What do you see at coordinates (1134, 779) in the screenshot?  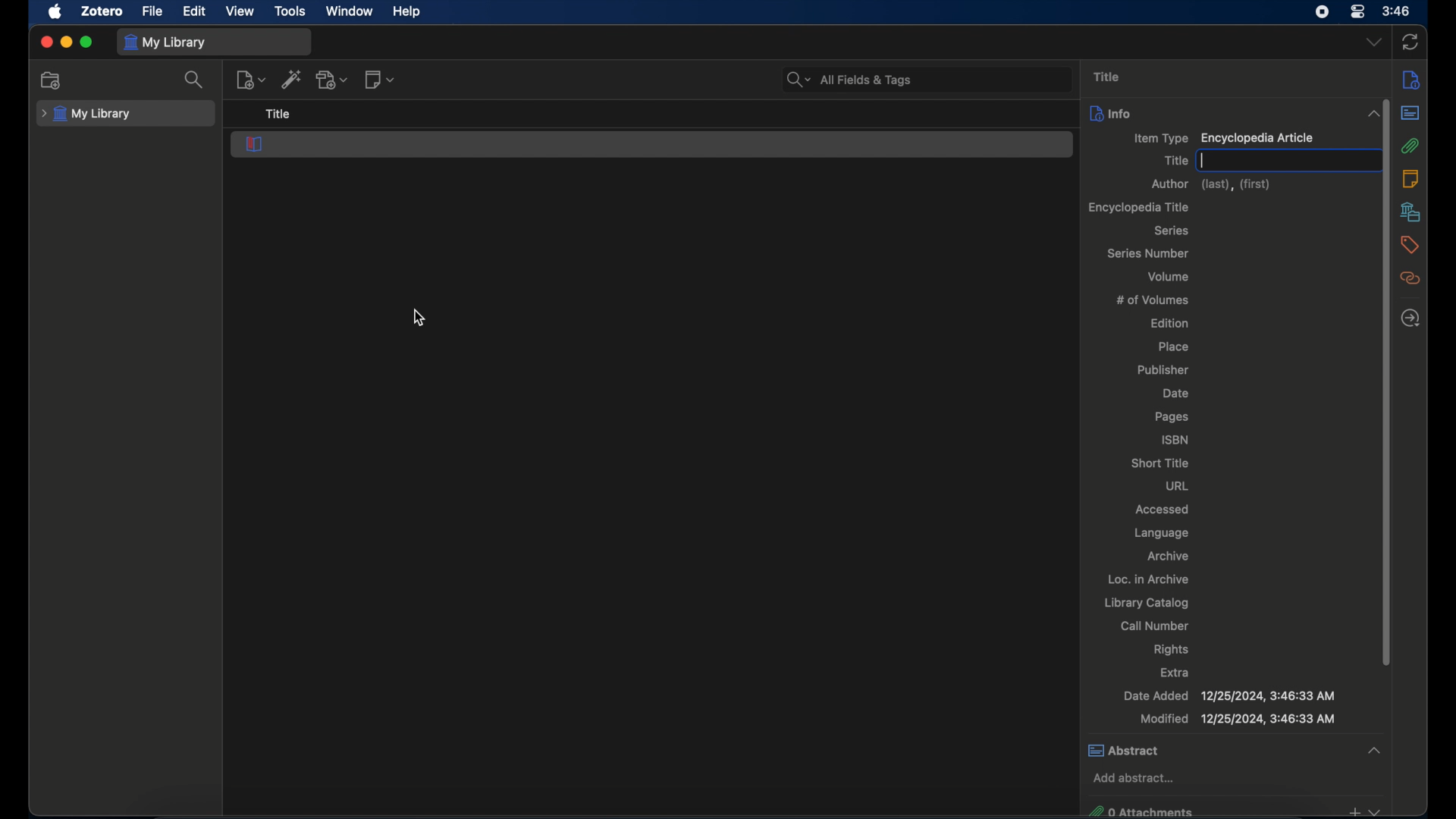 I see `add abstract` at bounding box center [1134, 779].